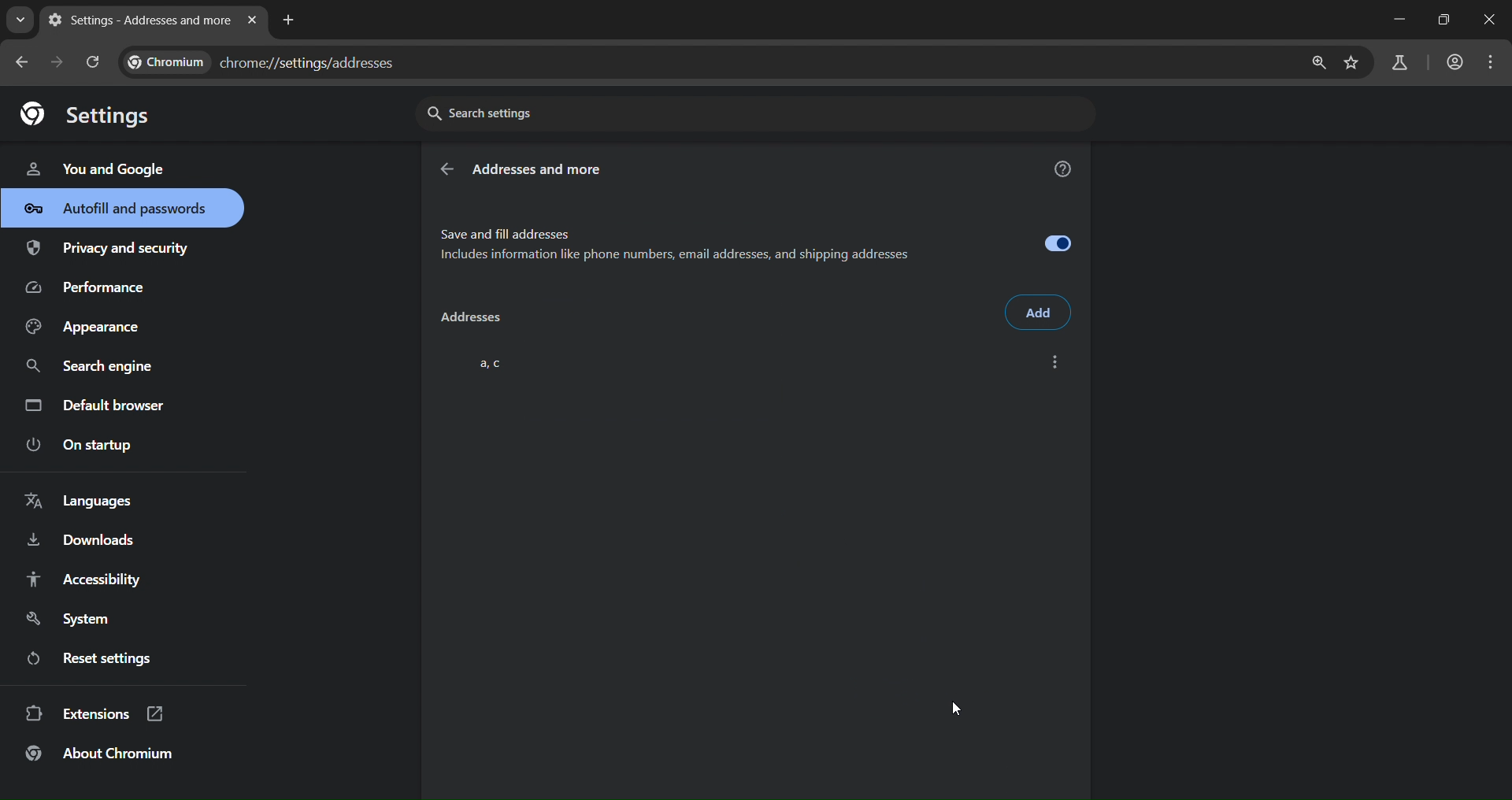 The height and width of the screenshot is (800, 1512). Describe the element at coordinates (1314, 63) in the screenshot. I see `zoom` at that location.